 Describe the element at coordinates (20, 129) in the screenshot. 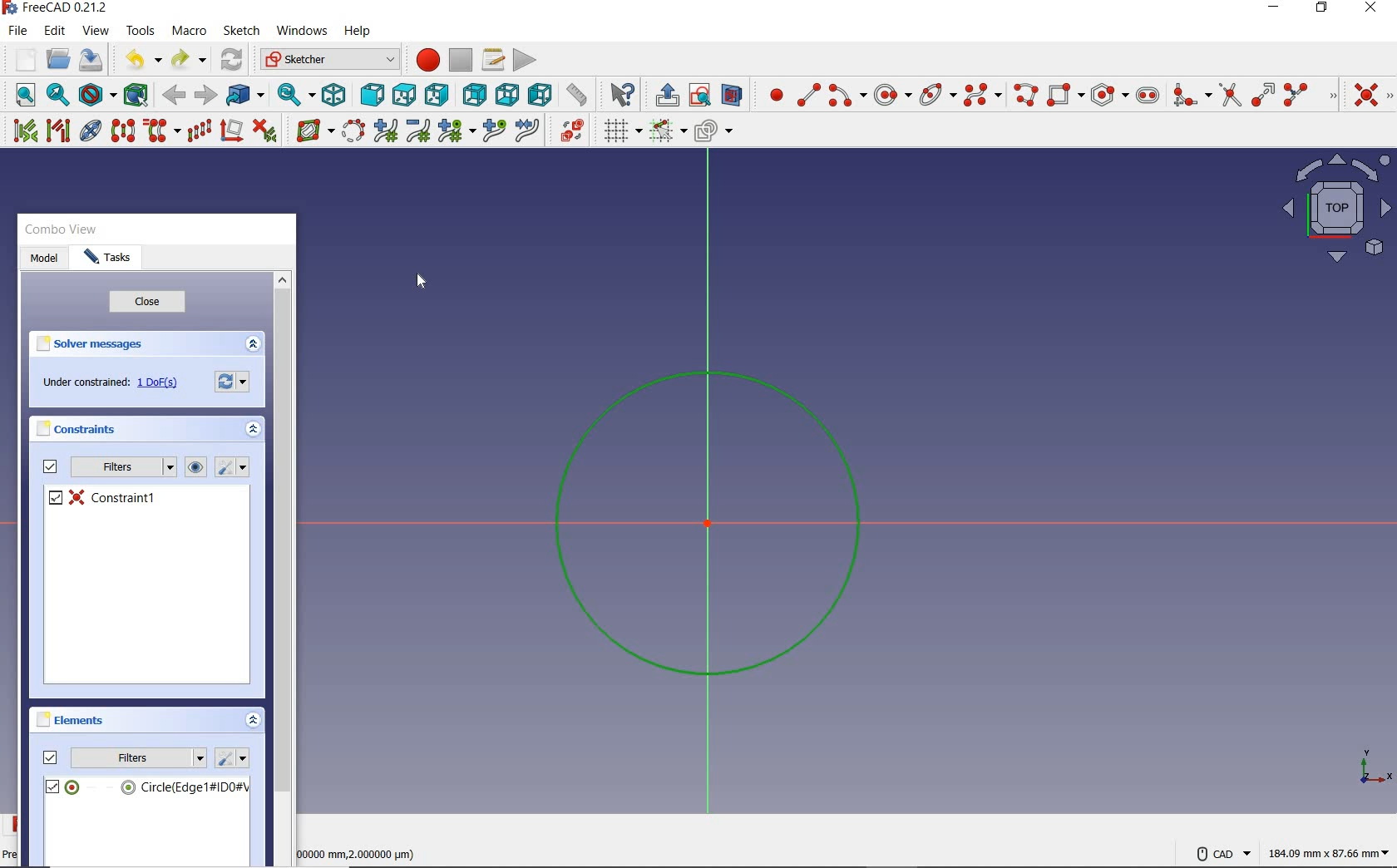

I see `select associated constraints` at that location.